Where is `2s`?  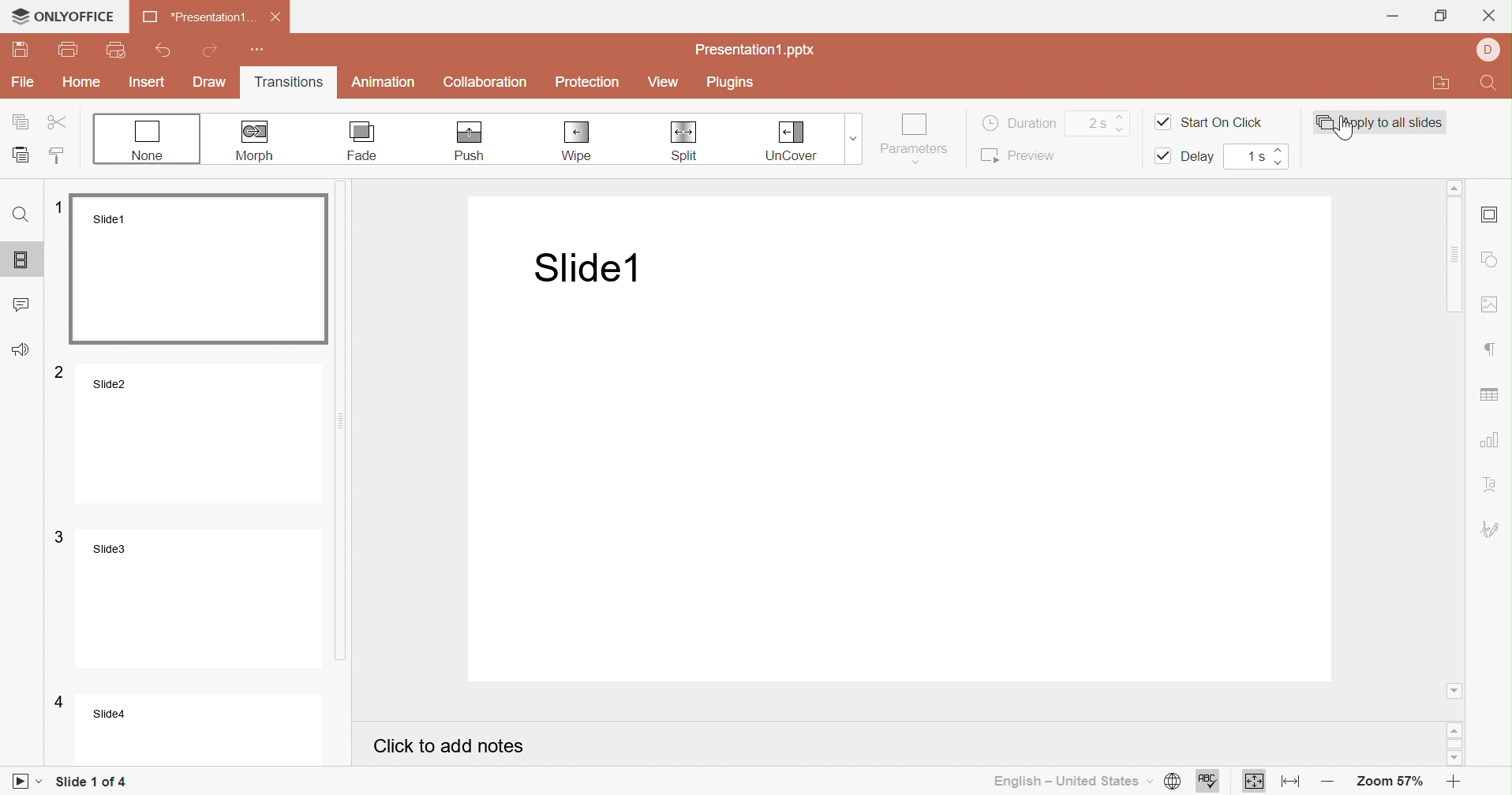 2s is located at coordinates (1106, 121).